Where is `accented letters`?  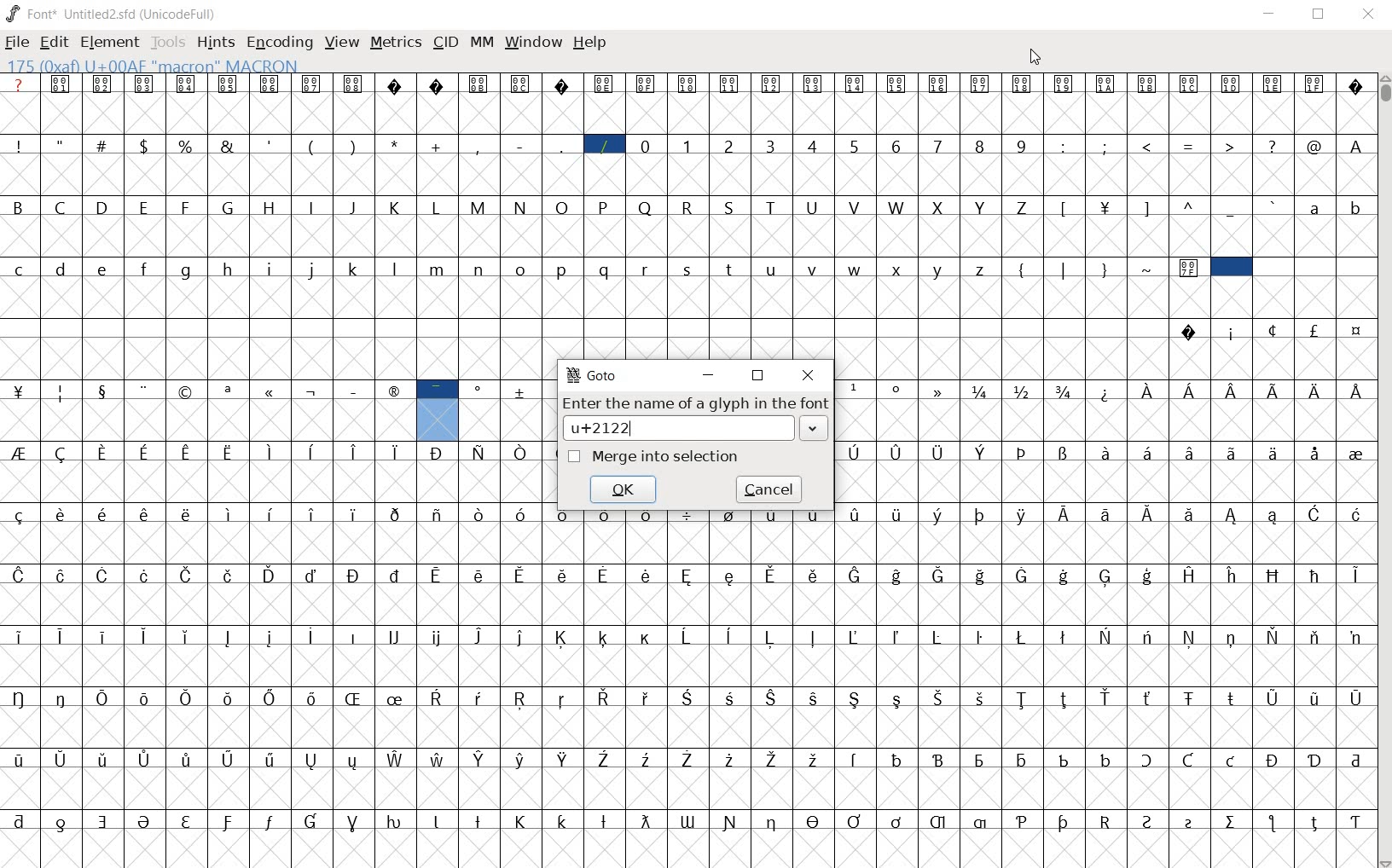 accented letters is located at coordinates (416, 778).